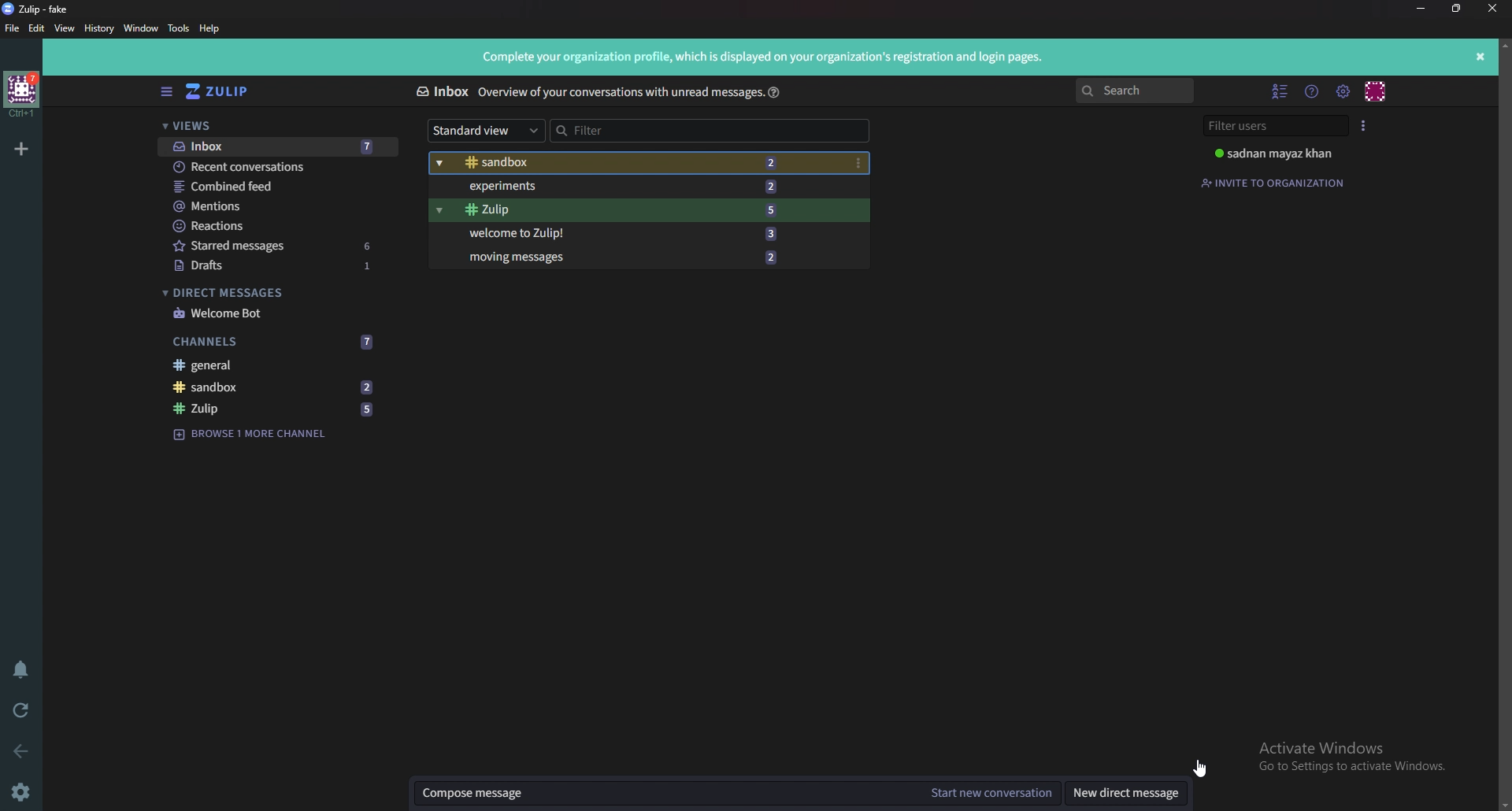 This screenshot has width=1512, height=811. I want to click on Reload, so click(22, 713).